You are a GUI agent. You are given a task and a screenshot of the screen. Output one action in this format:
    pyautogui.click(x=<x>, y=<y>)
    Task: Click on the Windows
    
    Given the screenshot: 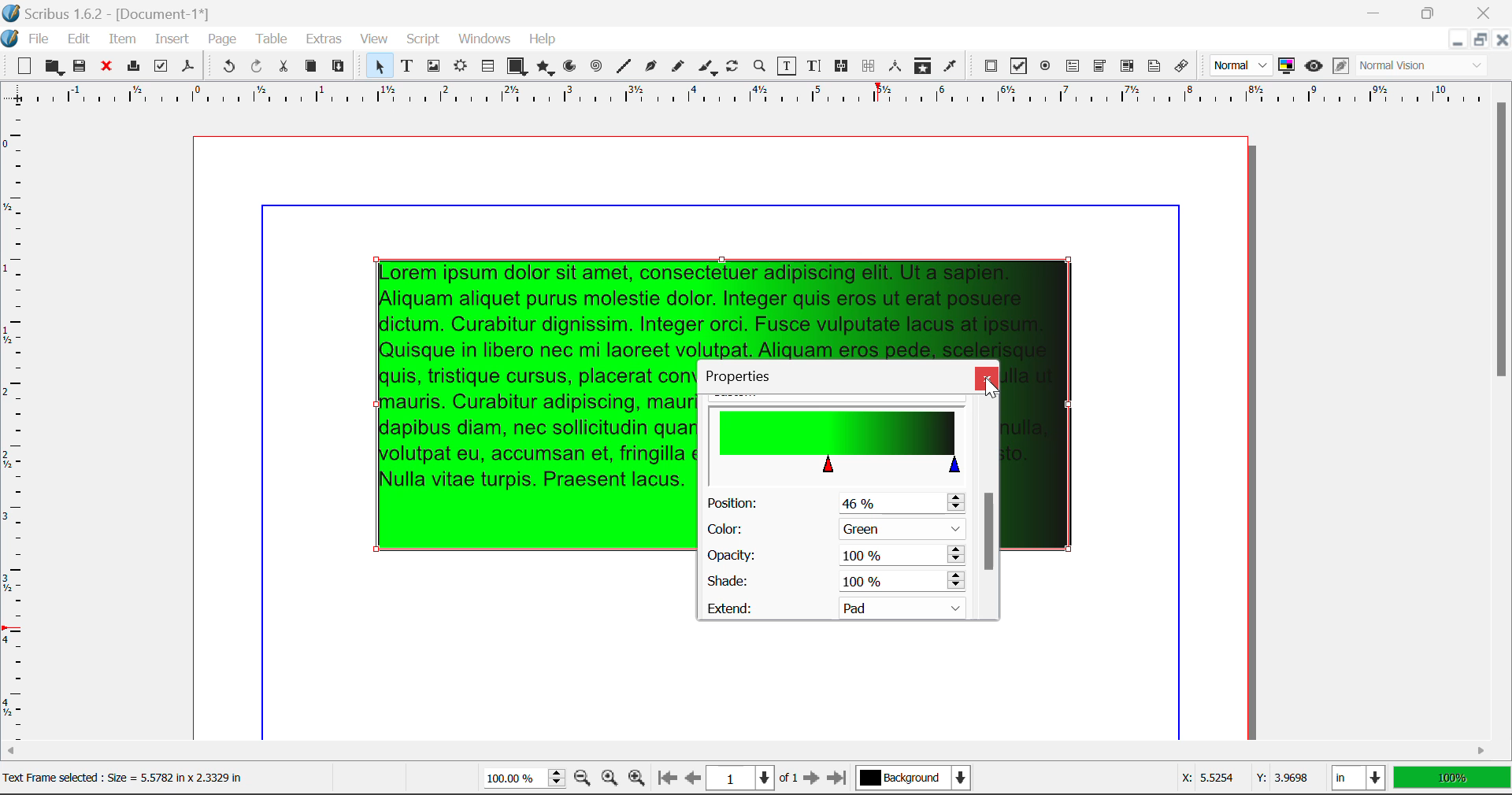 What is the action you would take?
    pyautogui.click(x=483, y=39)
    